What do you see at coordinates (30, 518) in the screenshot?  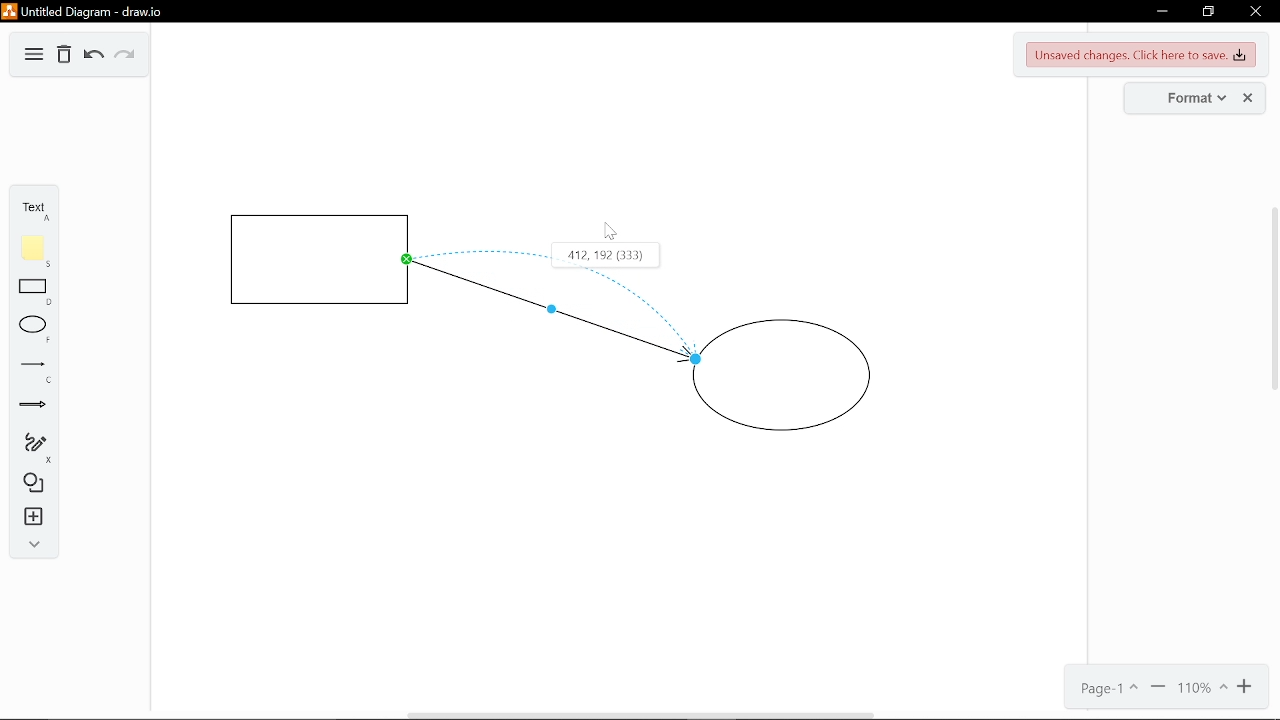 I see `Instert` at bounding box center [30, 518].